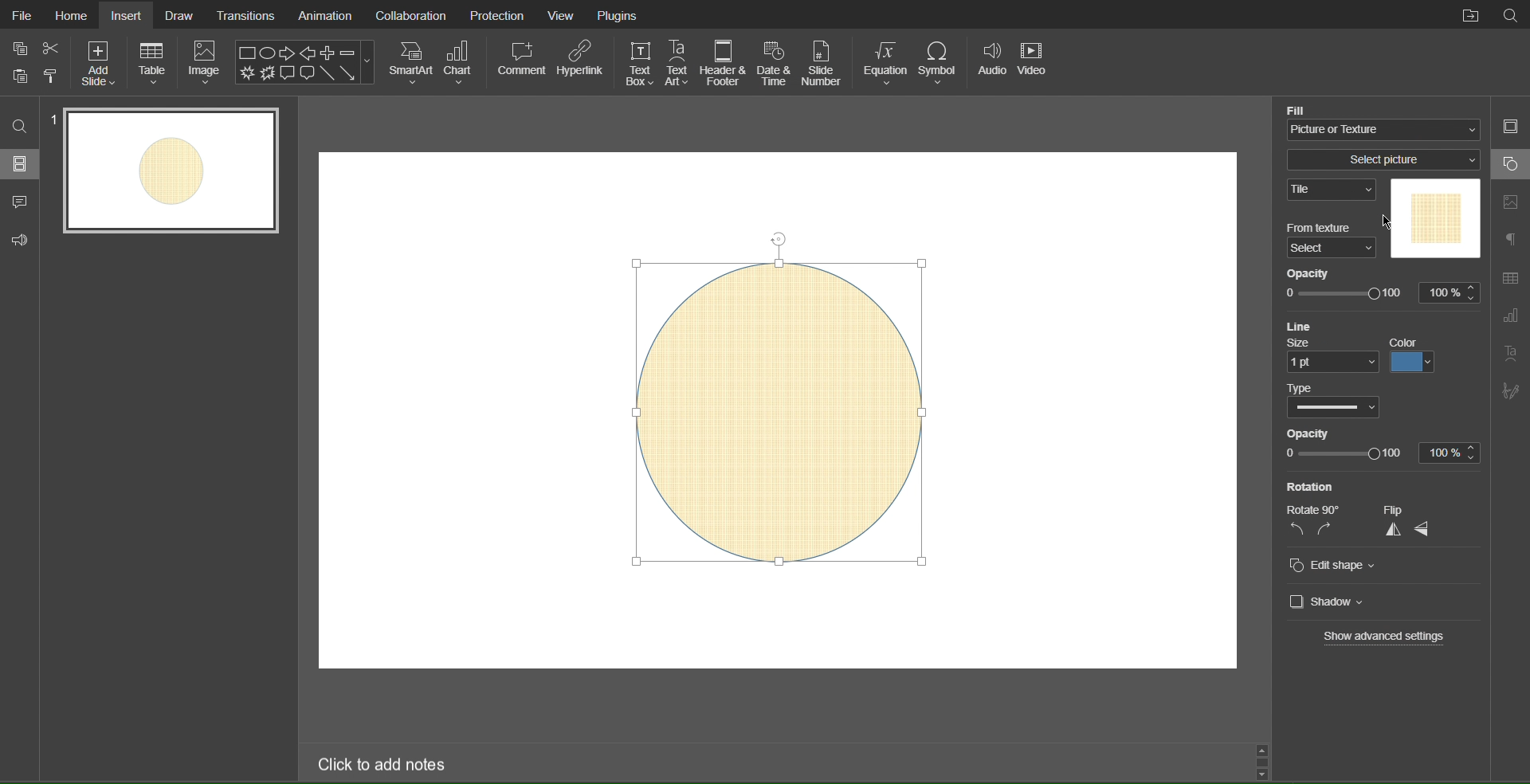  What do you see at coordinates (1512, 16) in the screenshot?
I see `Search` at bounding box center [1512, 16].